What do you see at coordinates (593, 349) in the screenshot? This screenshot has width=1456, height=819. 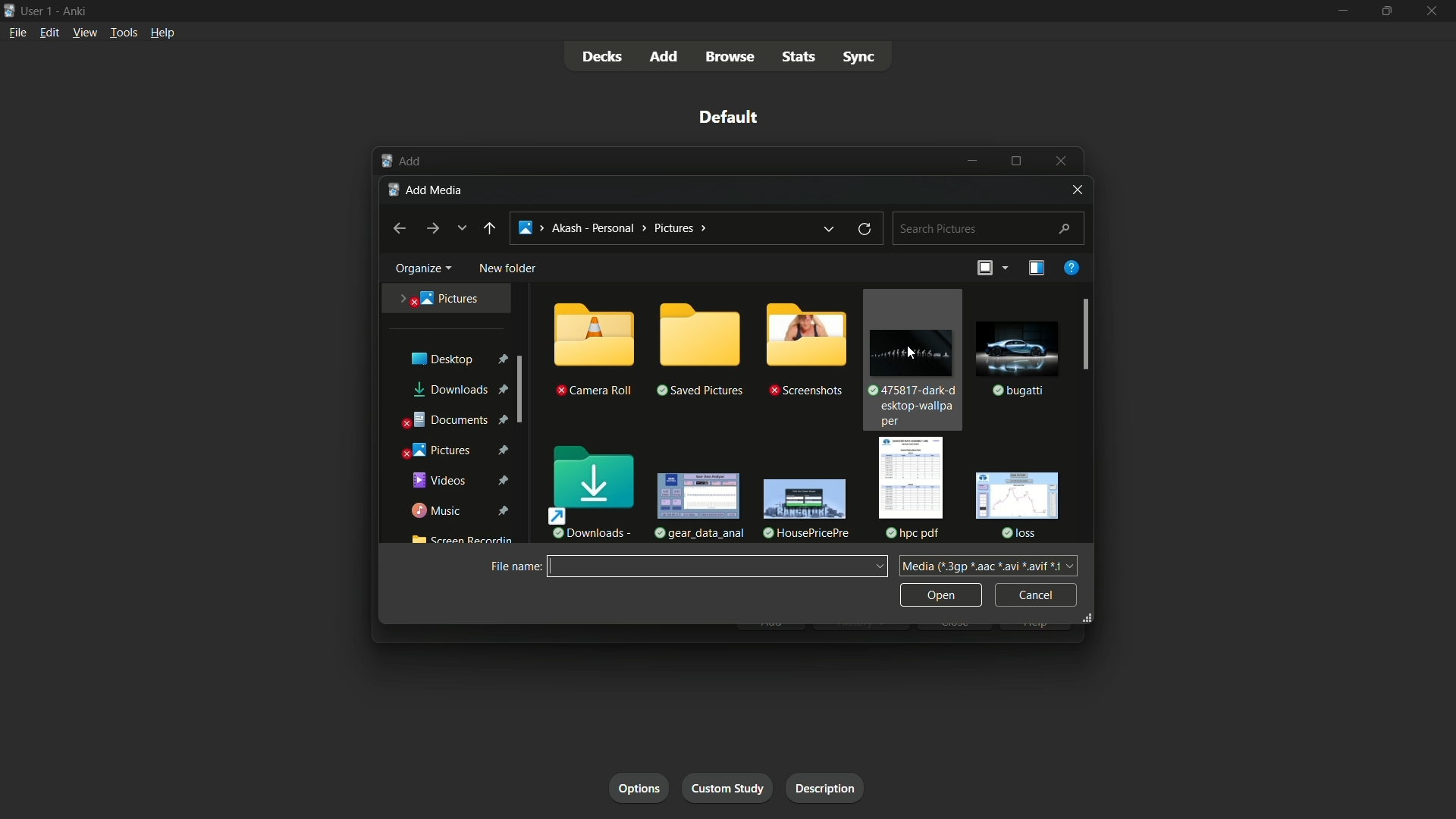 I see `folder-1` at bounding box center [593, 349].